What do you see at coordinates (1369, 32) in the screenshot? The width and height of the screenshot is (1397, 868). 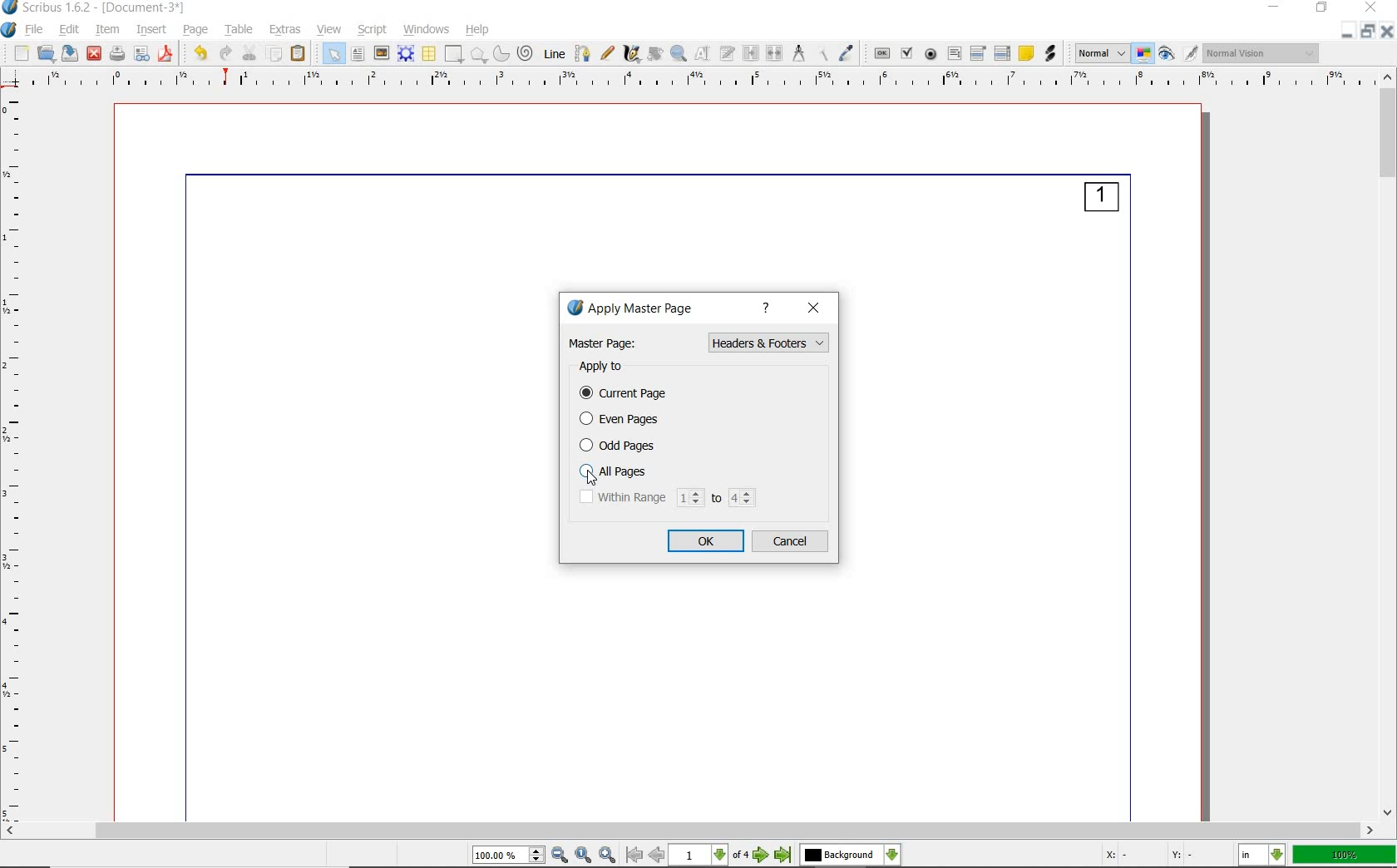 I see `restore` at bounding box center [1369, 32].